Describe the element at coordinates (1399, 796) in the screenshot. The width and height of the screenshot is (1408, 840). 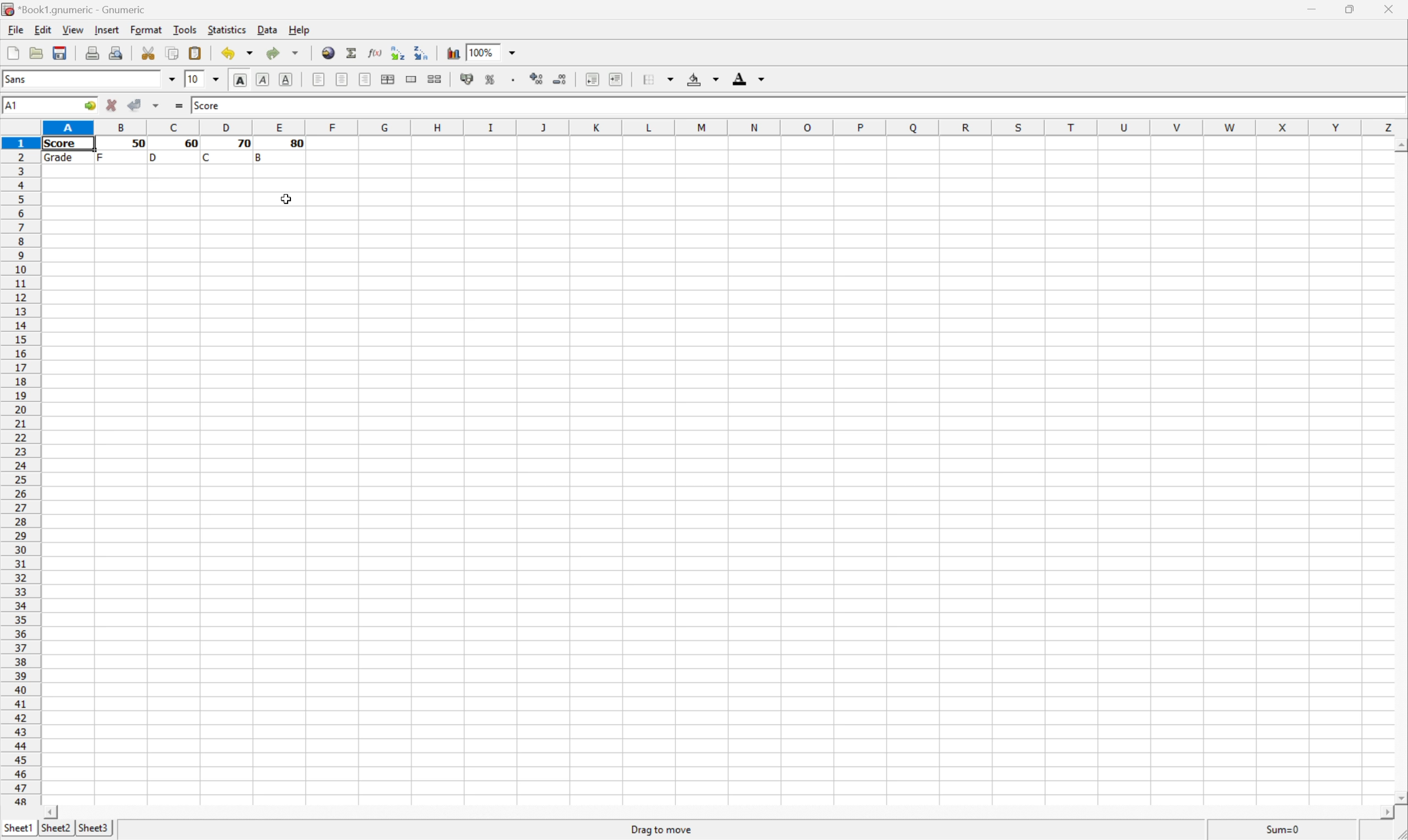
I see `Scroll Down` at that location.